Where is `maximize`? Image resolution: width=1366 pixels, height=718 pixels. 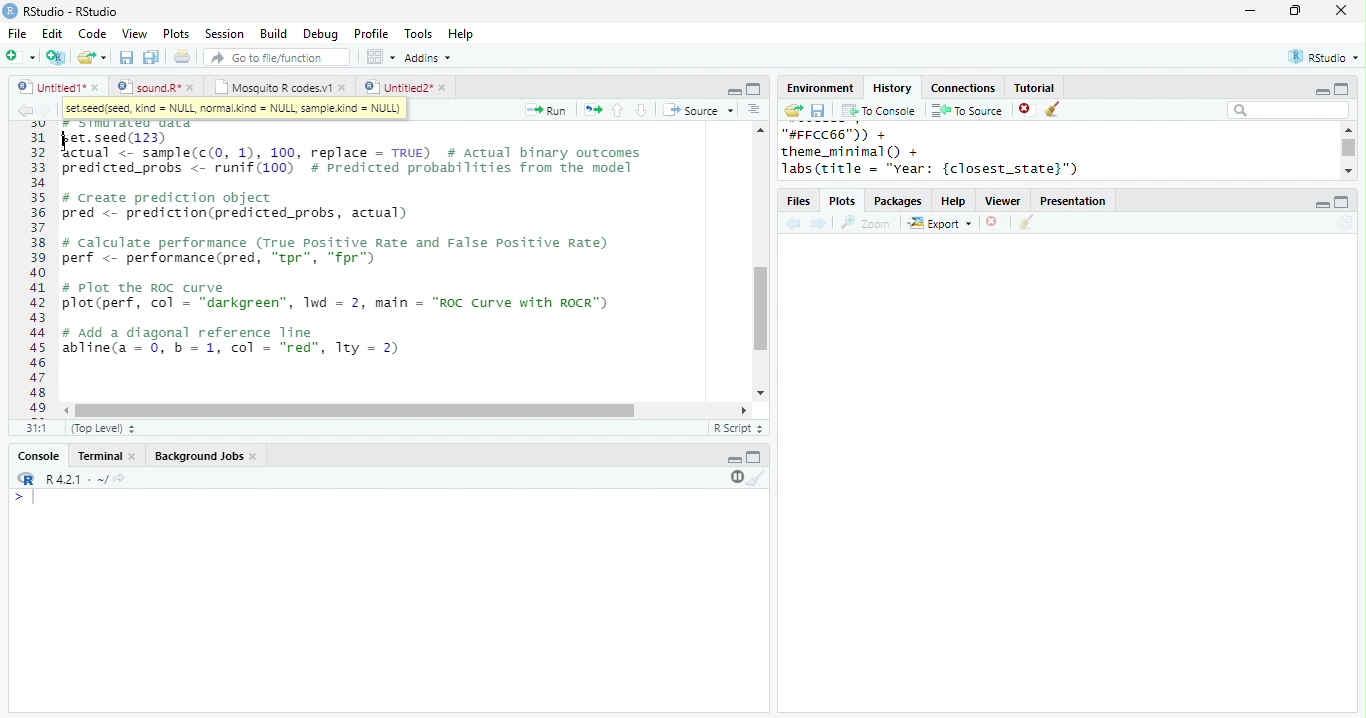
maximize is located at coordinates (1342, 202).